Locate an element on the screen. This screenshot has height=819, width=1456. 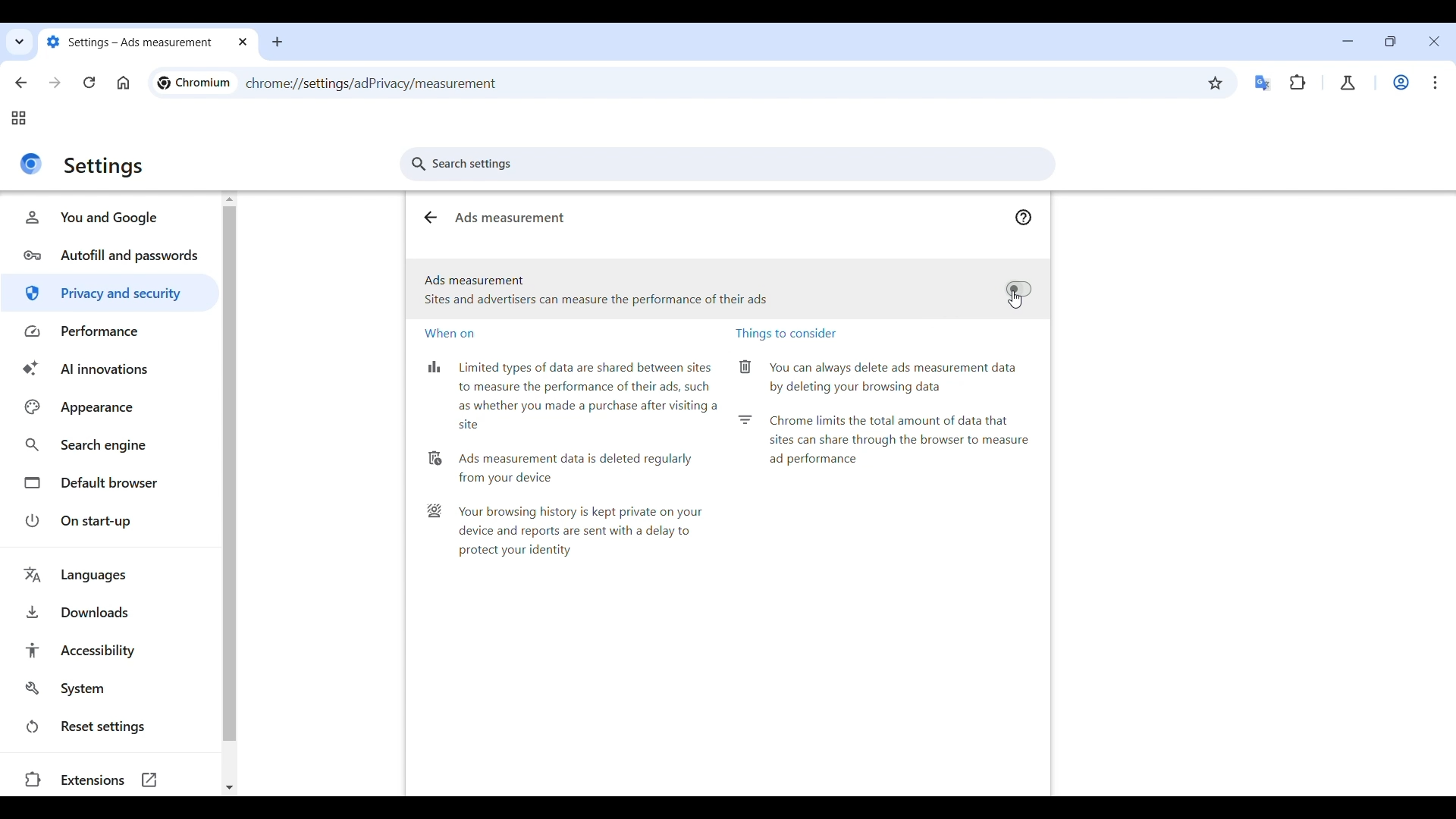
selection cursor is located at coordinates (1017, 300).